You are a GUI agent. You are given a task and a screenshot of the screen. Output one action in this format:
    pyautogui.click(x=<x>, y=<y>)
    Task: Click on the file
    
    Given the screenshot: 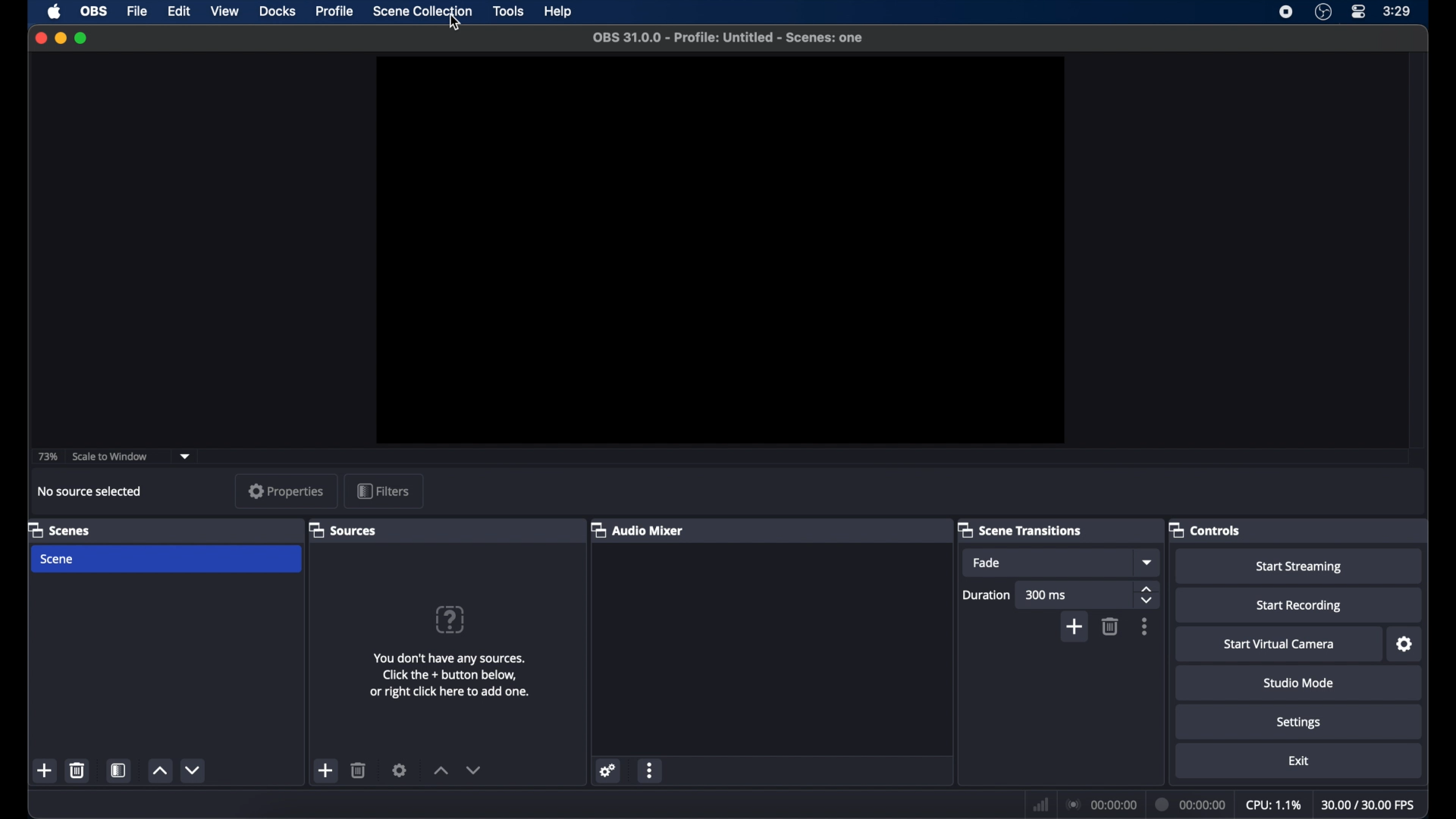 What is the action you would take?
    pyautogui.click(x=136, y=11)
    